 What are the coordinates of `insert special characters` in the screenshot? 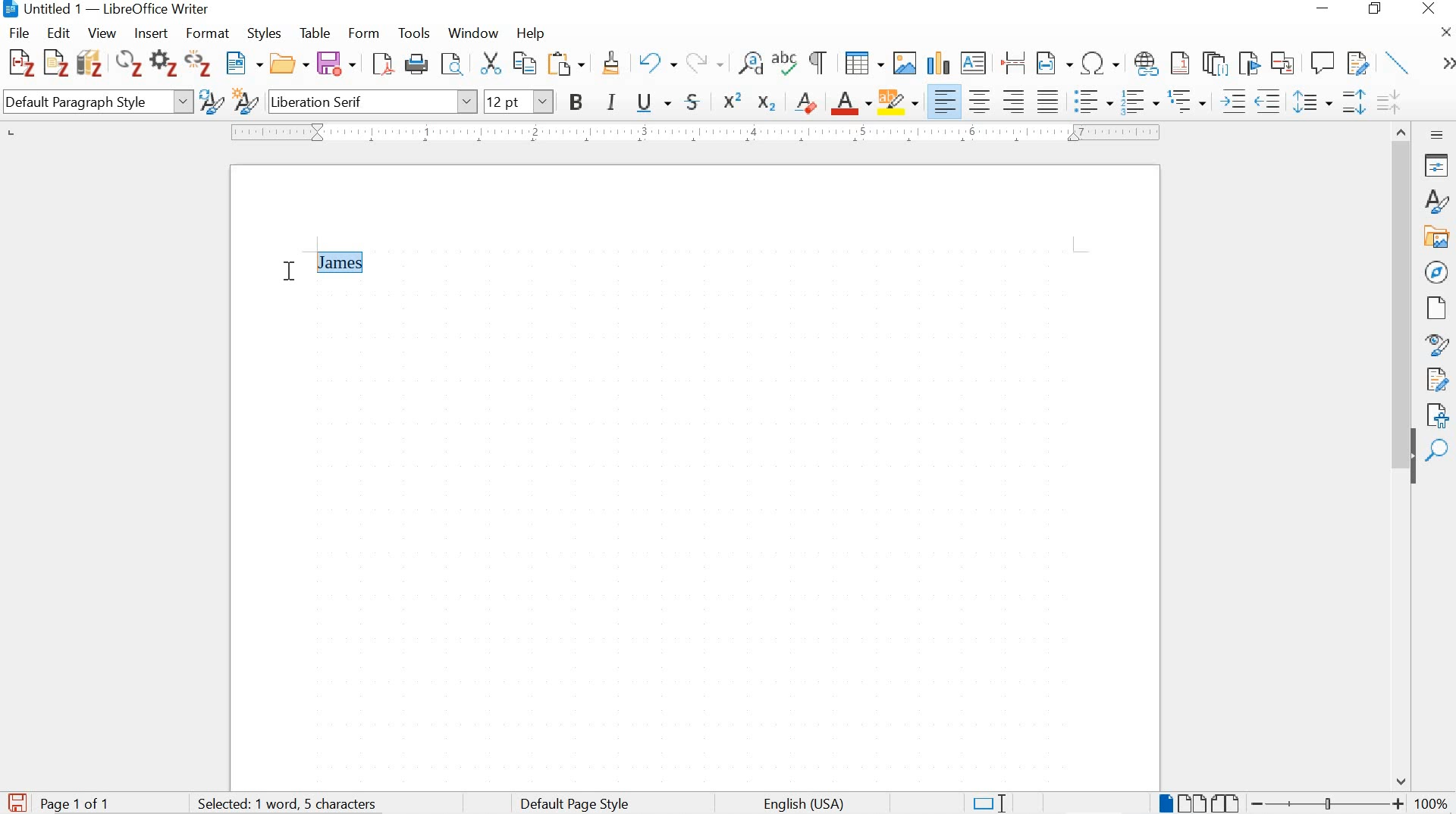 It's located at (1101, 64).